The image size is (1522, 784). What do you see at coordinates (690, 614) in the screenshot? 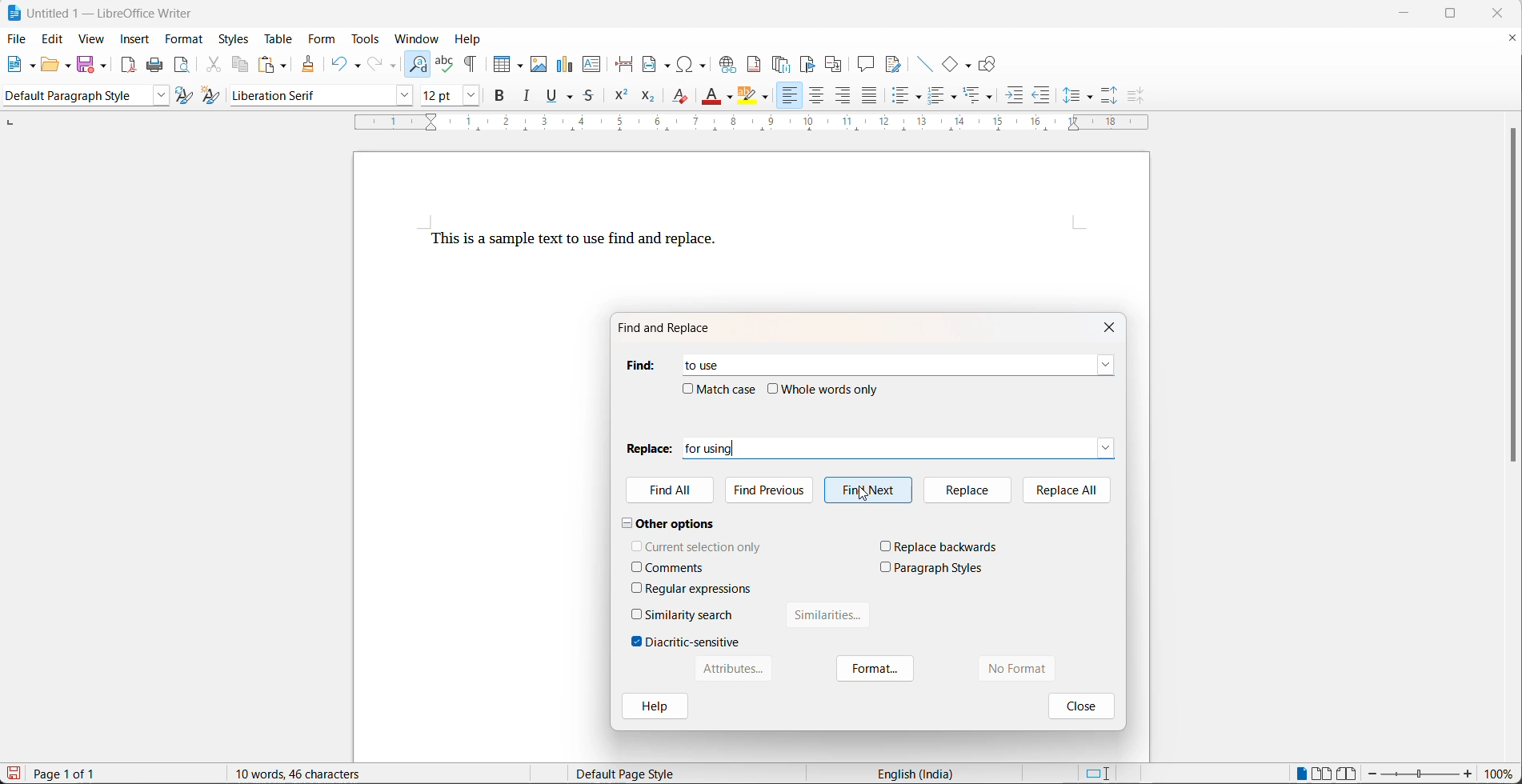
I see `similarity search` at bounding box center [690, 614].